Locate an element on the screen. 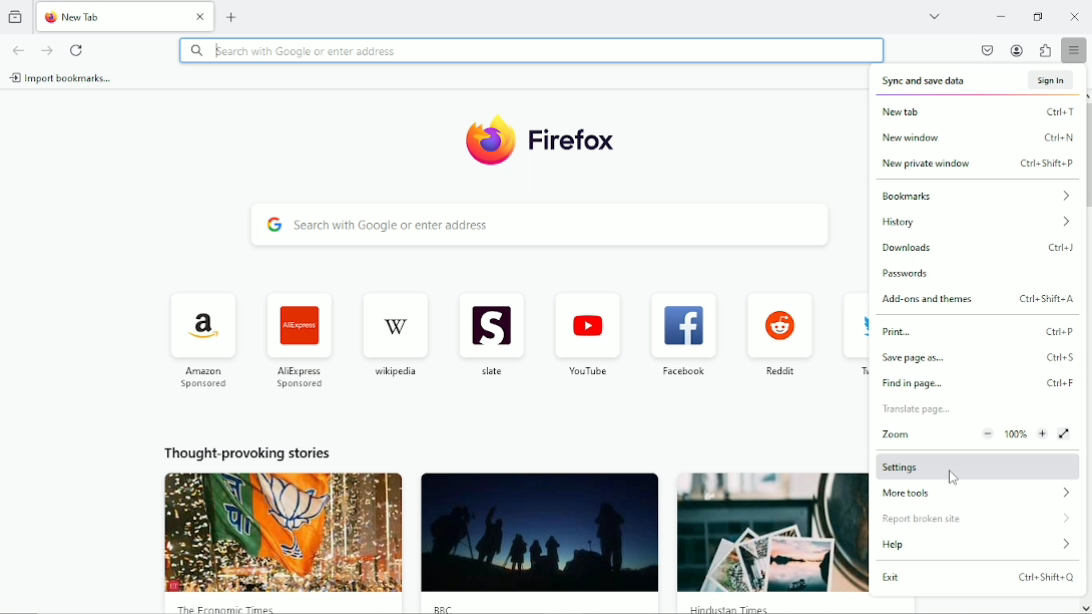 This screenshot has height=614, width=1092. view fullscreen is located at coordinates (1065, 434).